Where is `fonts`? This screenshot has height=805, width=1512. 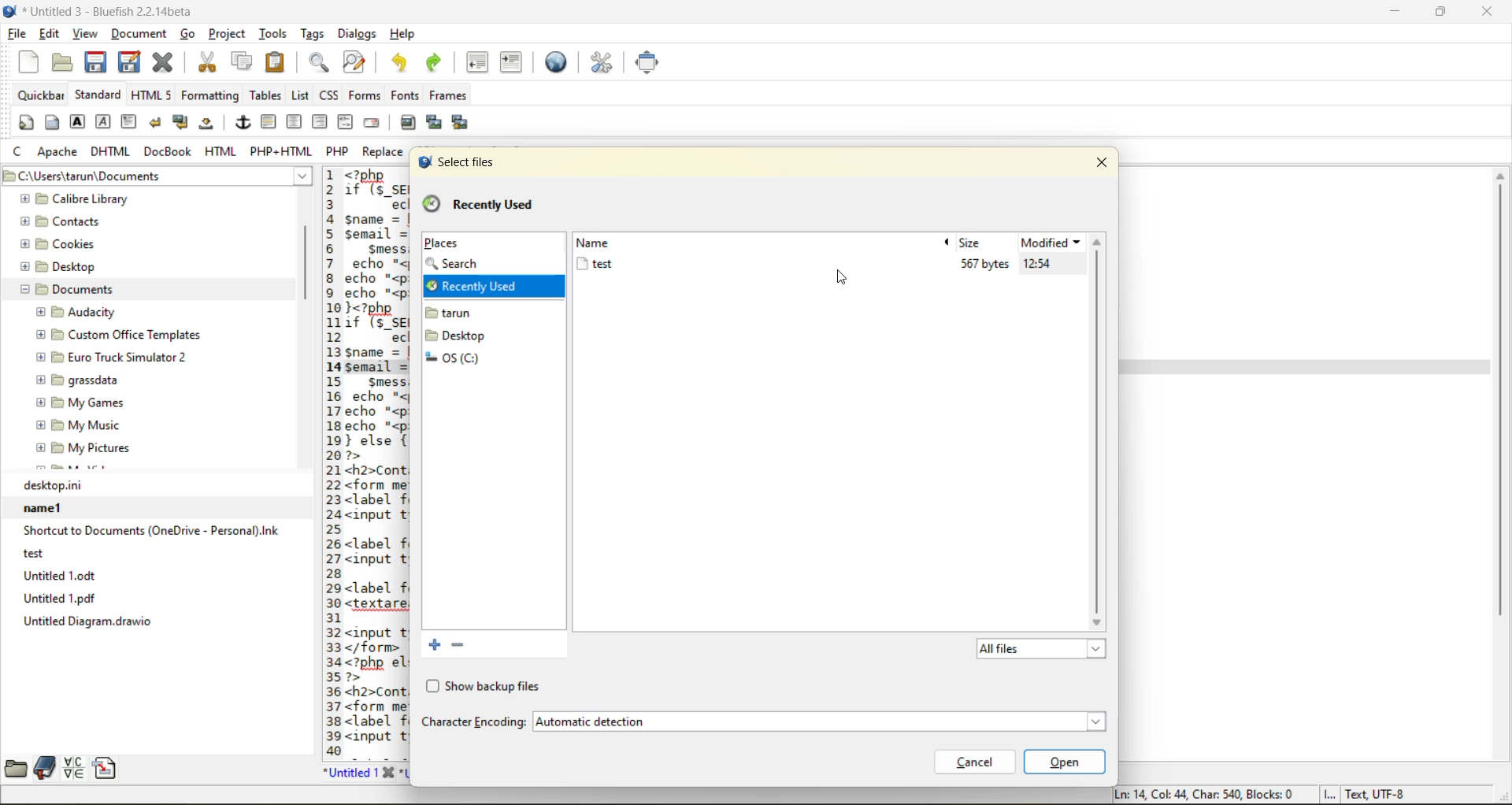
fonts is located at coordinates (402, 97).